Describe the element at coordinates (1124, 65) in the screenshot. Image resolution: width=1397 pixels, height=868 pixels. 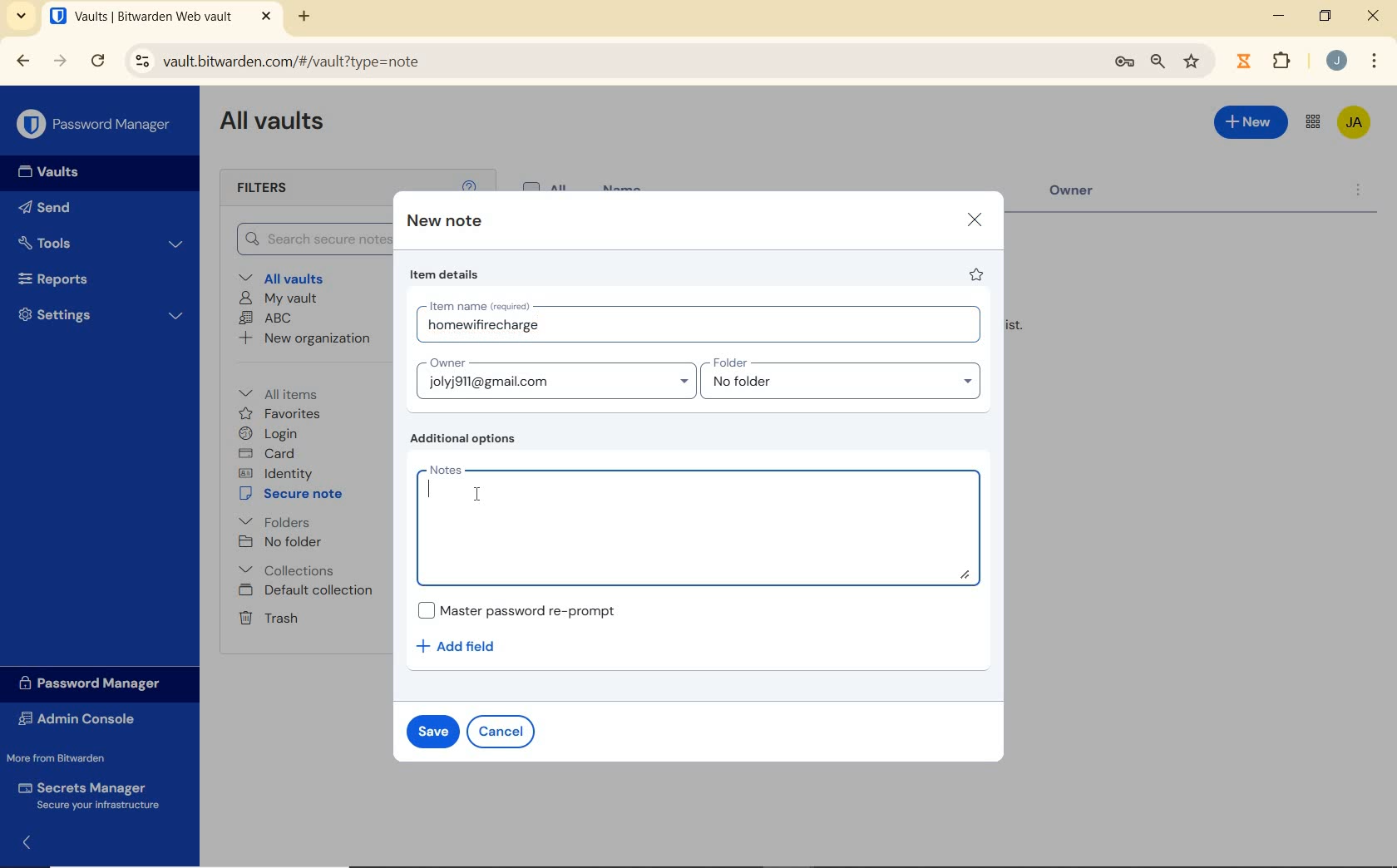
I see `manage passwords` at that location.